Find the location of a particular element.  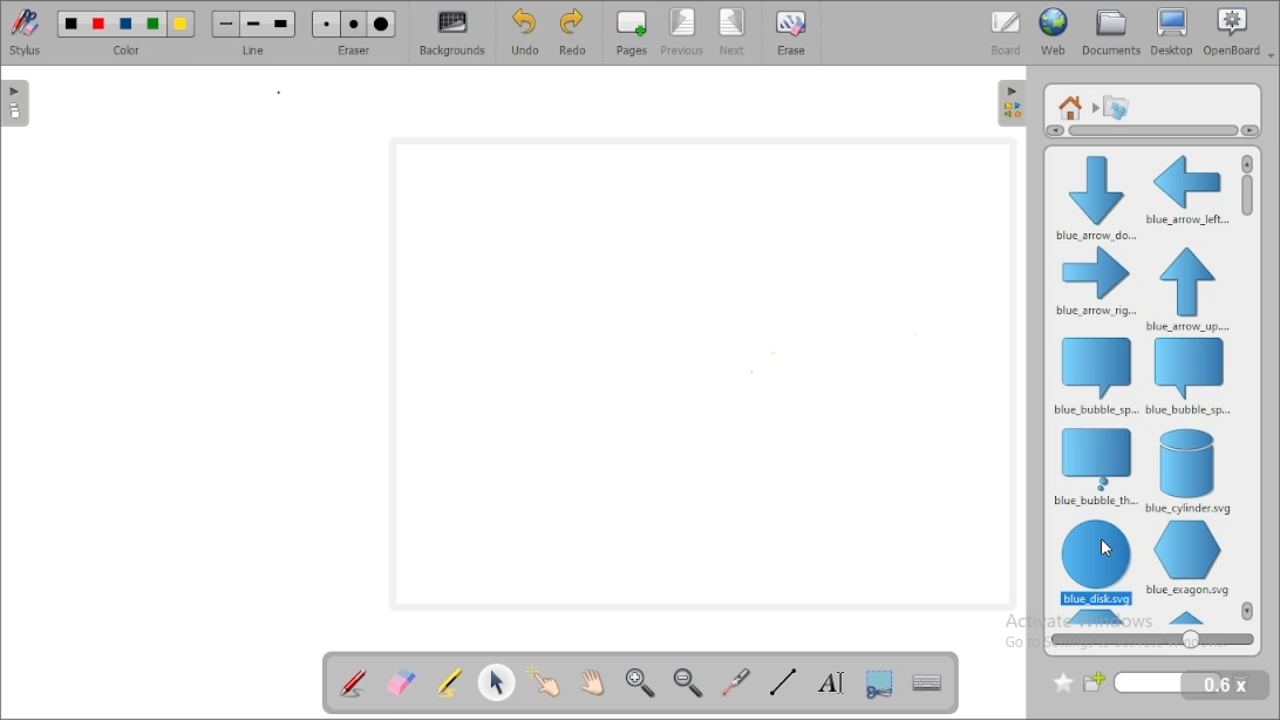

interact with items is located at coordinates (547, 679).